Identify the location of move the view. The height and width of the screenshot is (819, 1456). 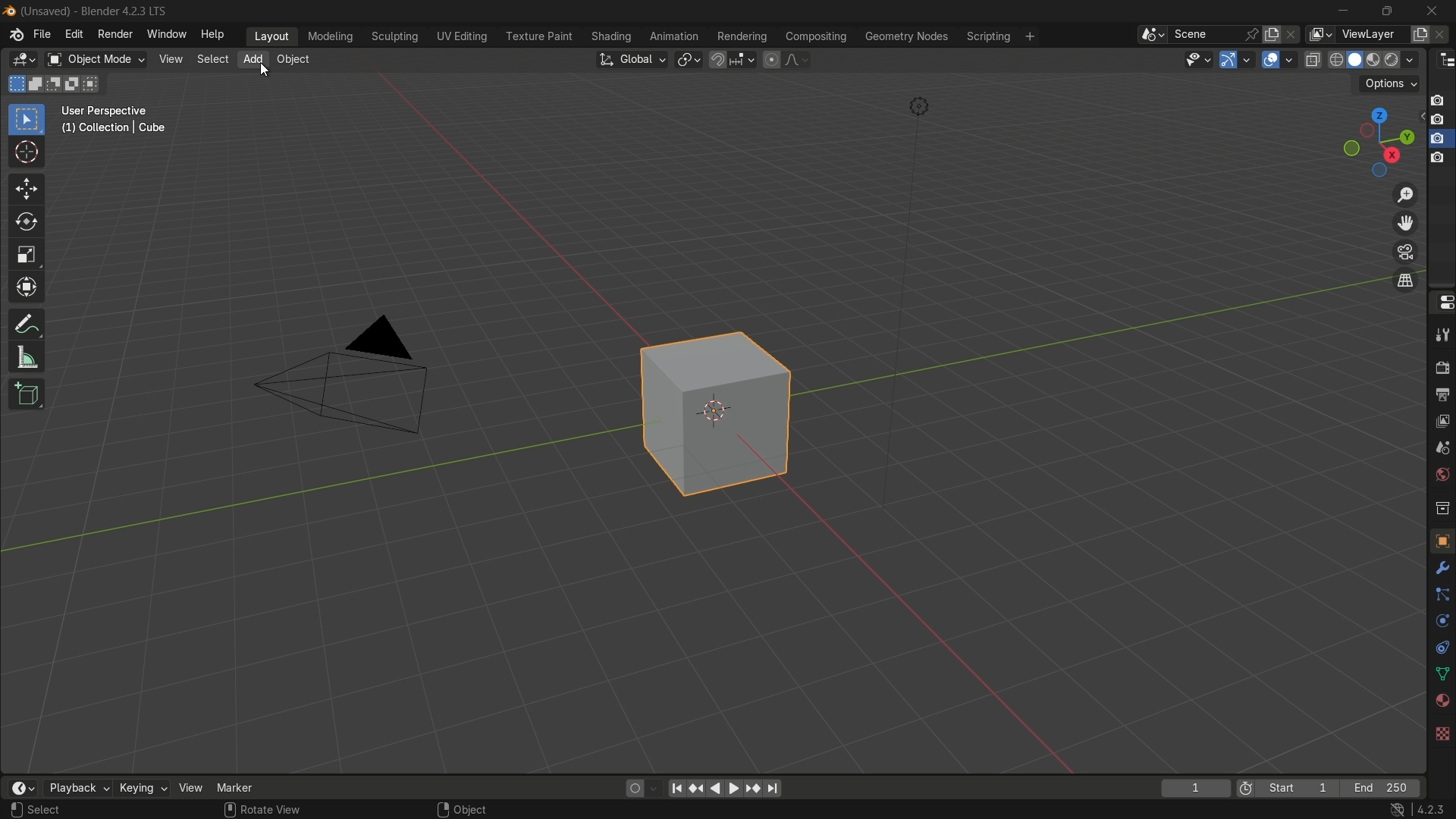
(1404, 224).